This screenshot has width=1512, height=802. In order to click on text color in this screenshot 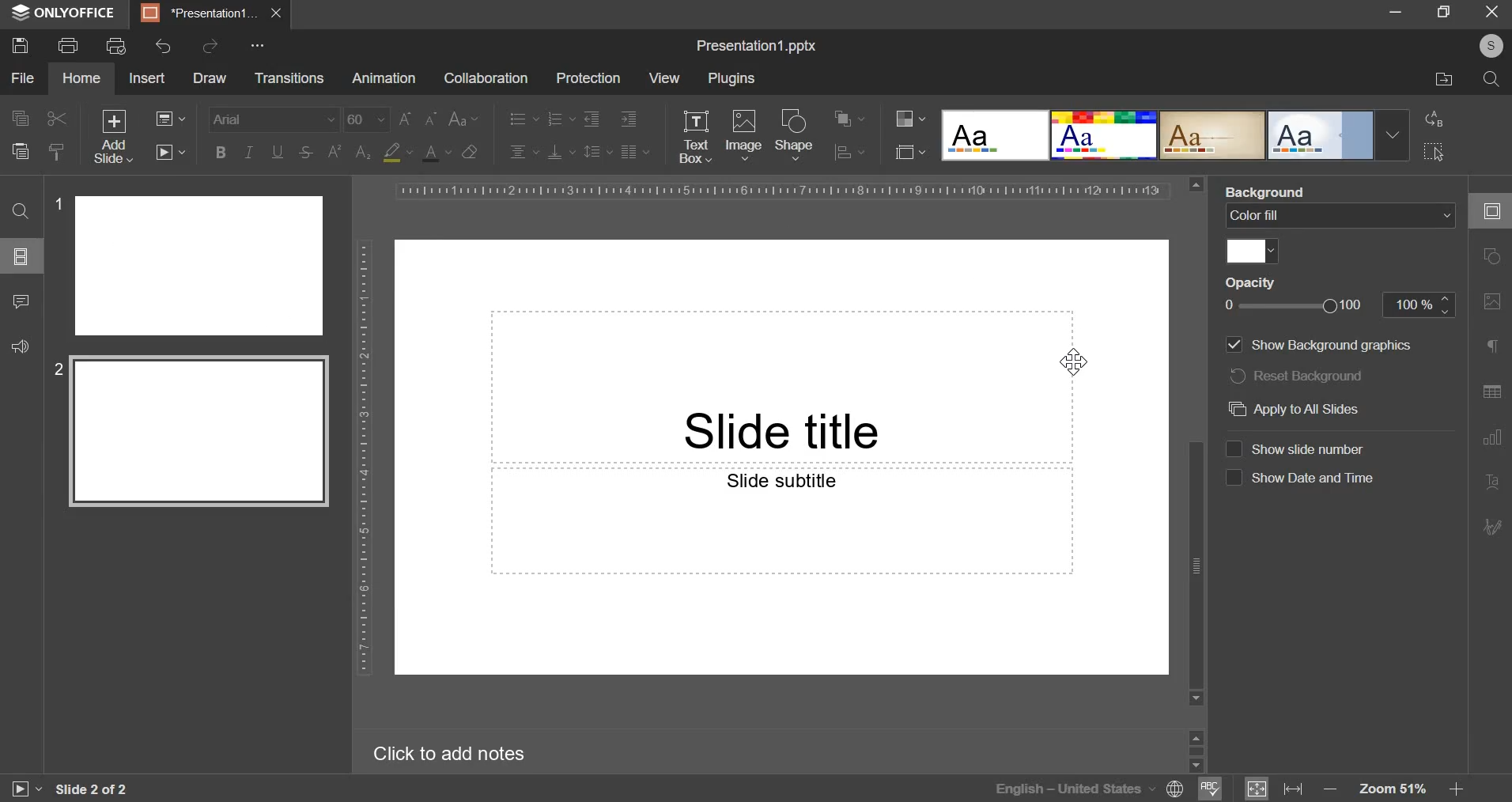, I will do `click(436, 153)`.